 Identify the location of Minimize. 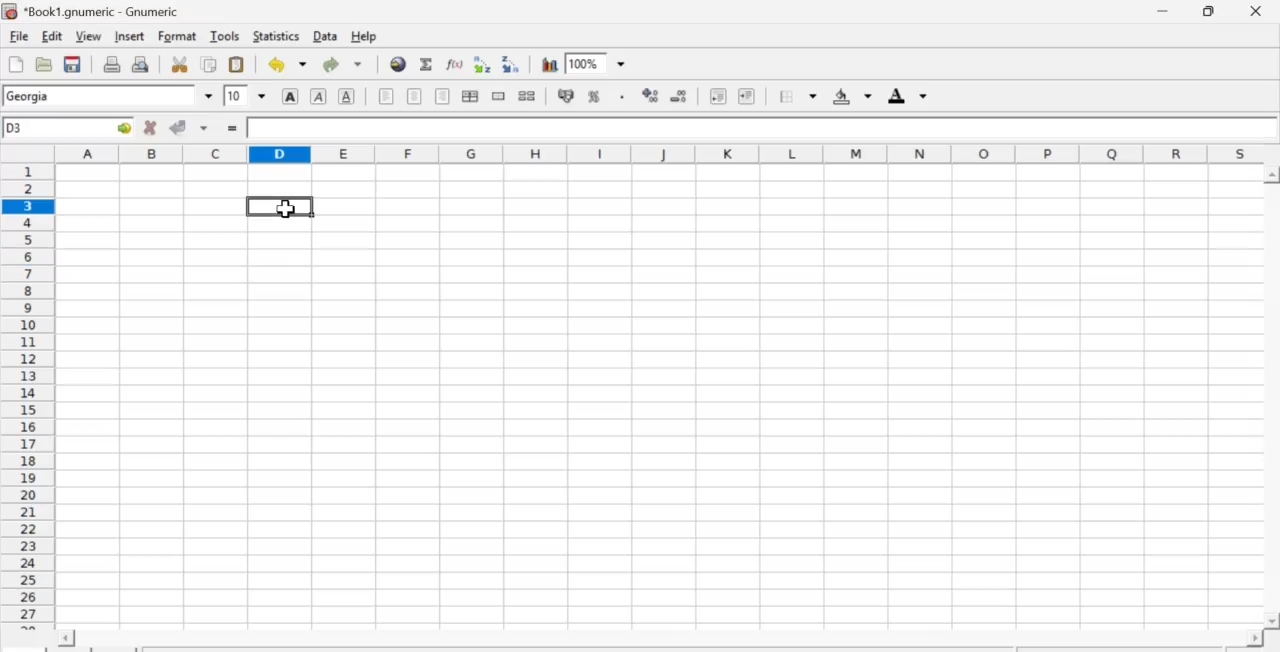
(1162, 12).